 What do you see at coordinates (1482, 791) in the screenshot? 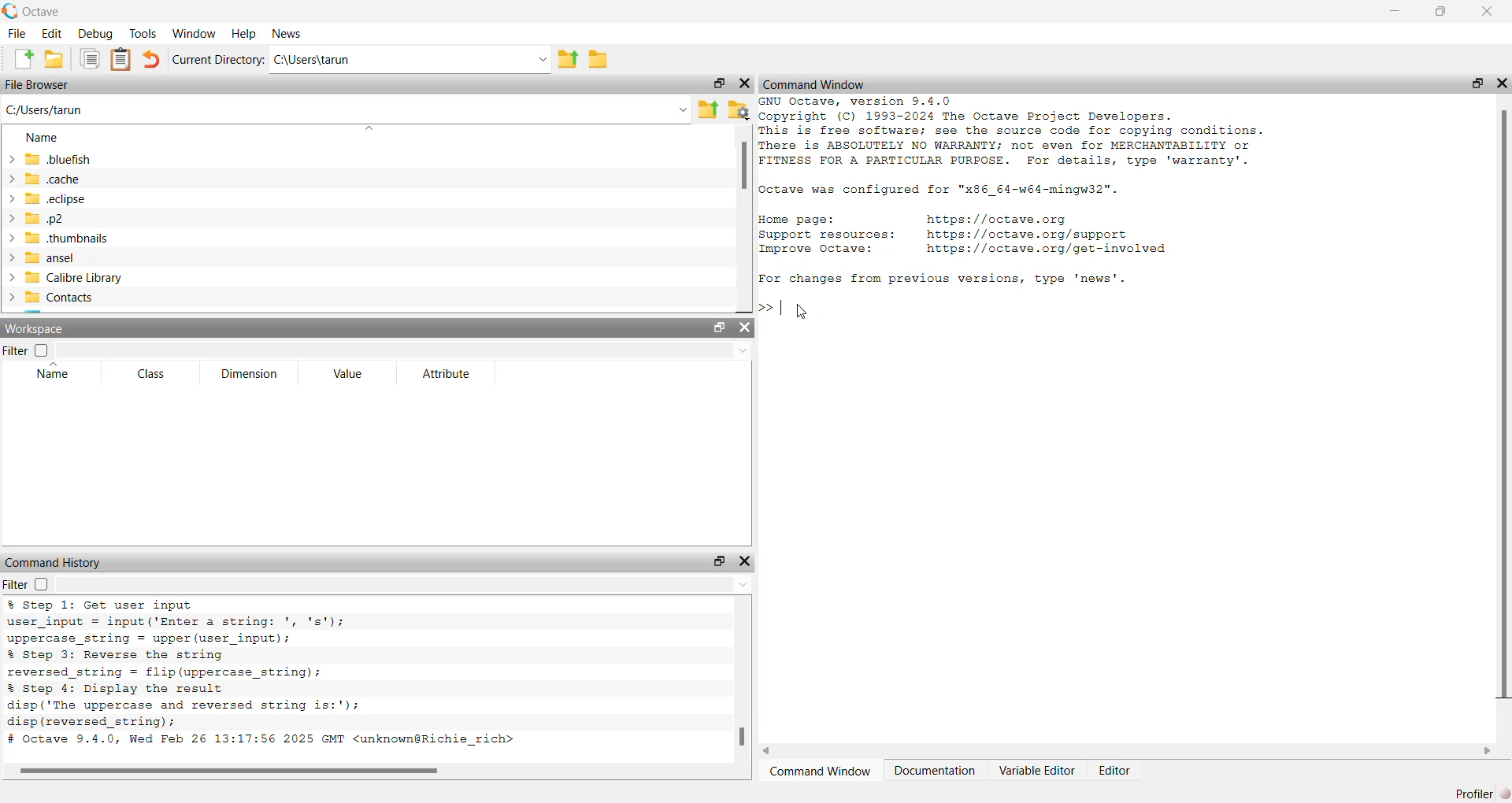
I see `profiler` at bounding box center [1482, 791].